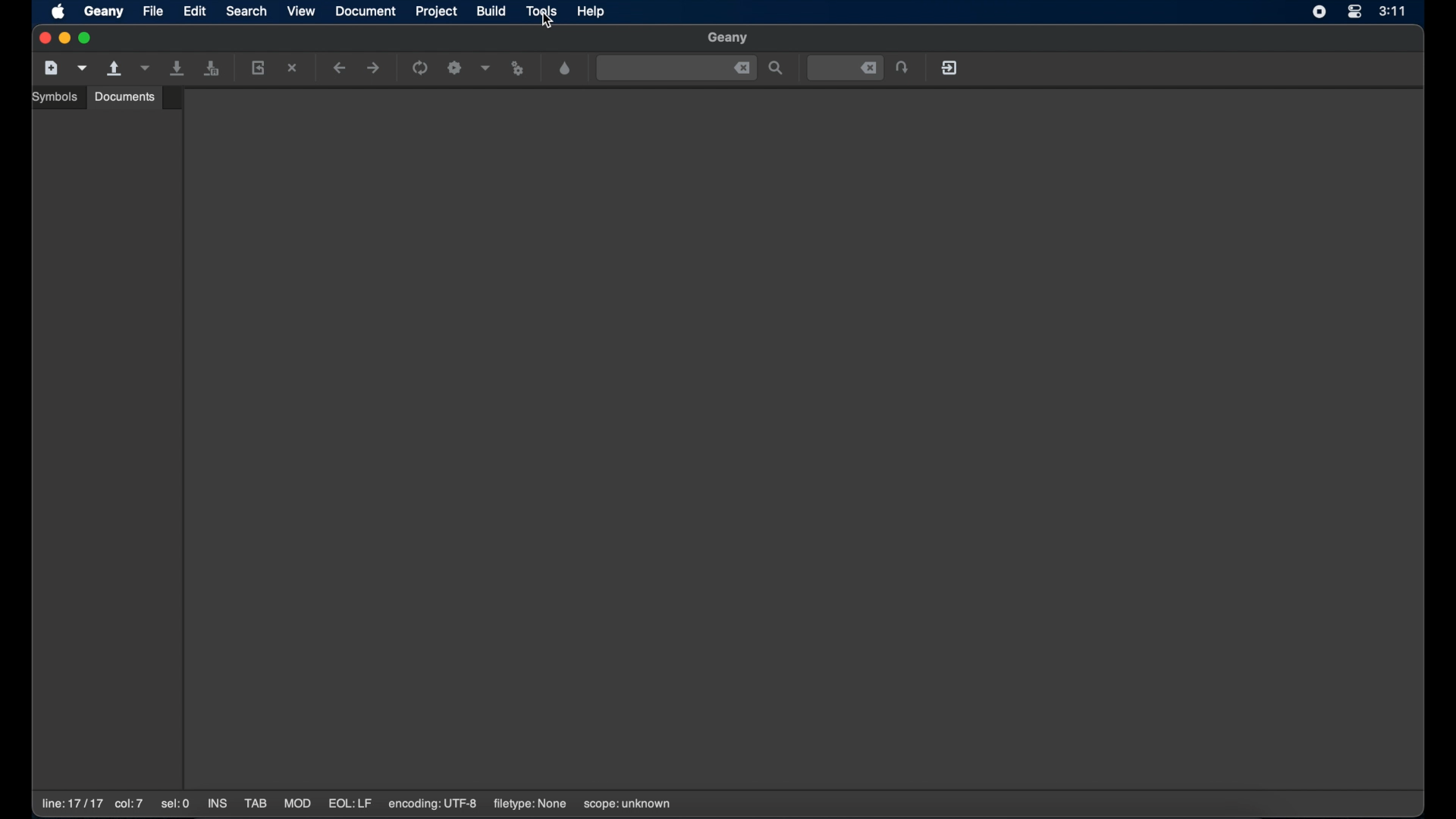 This screenshot has width=1456, height=819. What do you see at coordinates (125, 96) in the screenshot?
I see `documents` at bounding box center [125, 96].